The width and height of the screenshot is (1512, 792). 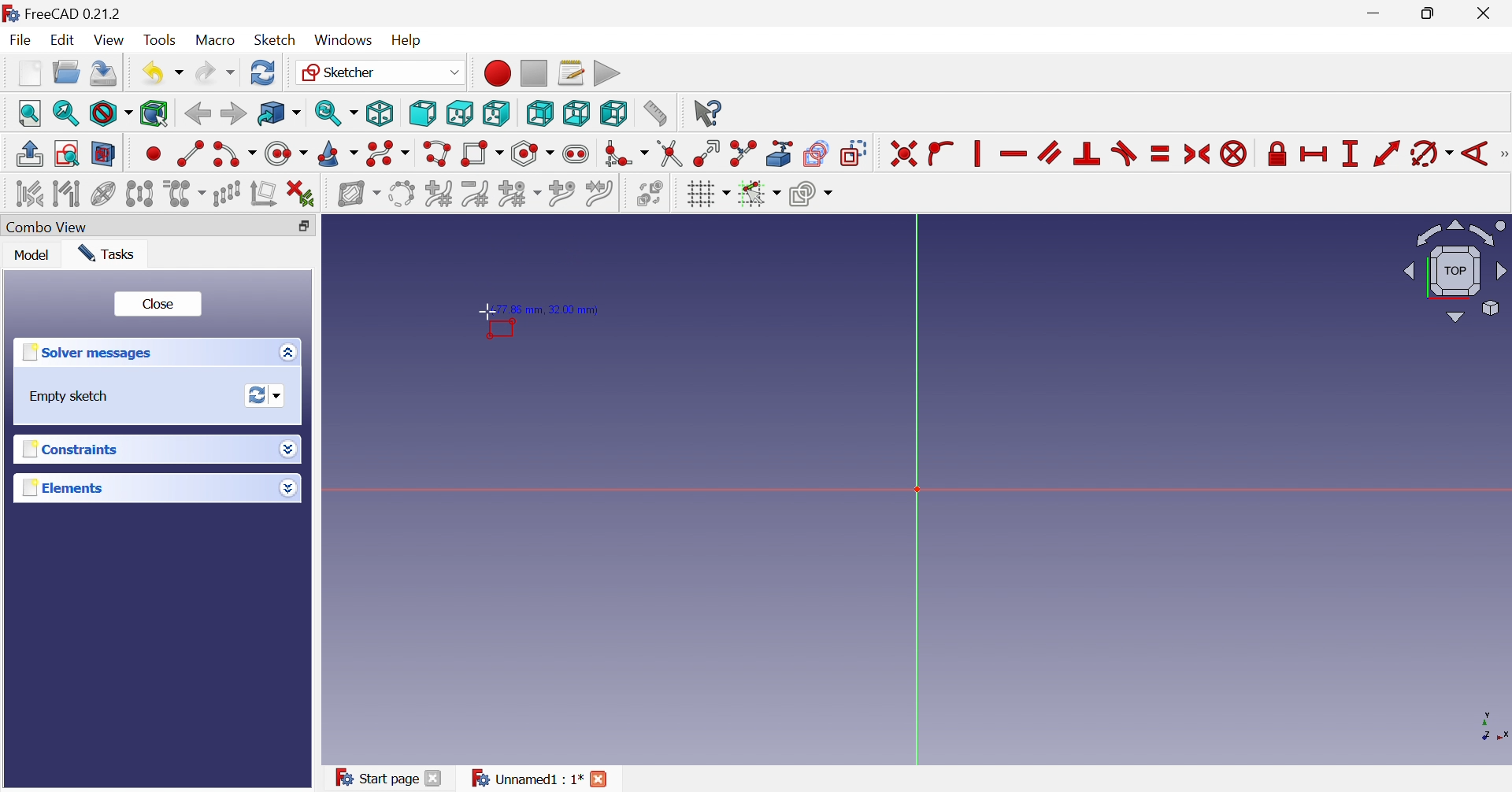 I want to click on Create arc, so click(x=234, y=154).